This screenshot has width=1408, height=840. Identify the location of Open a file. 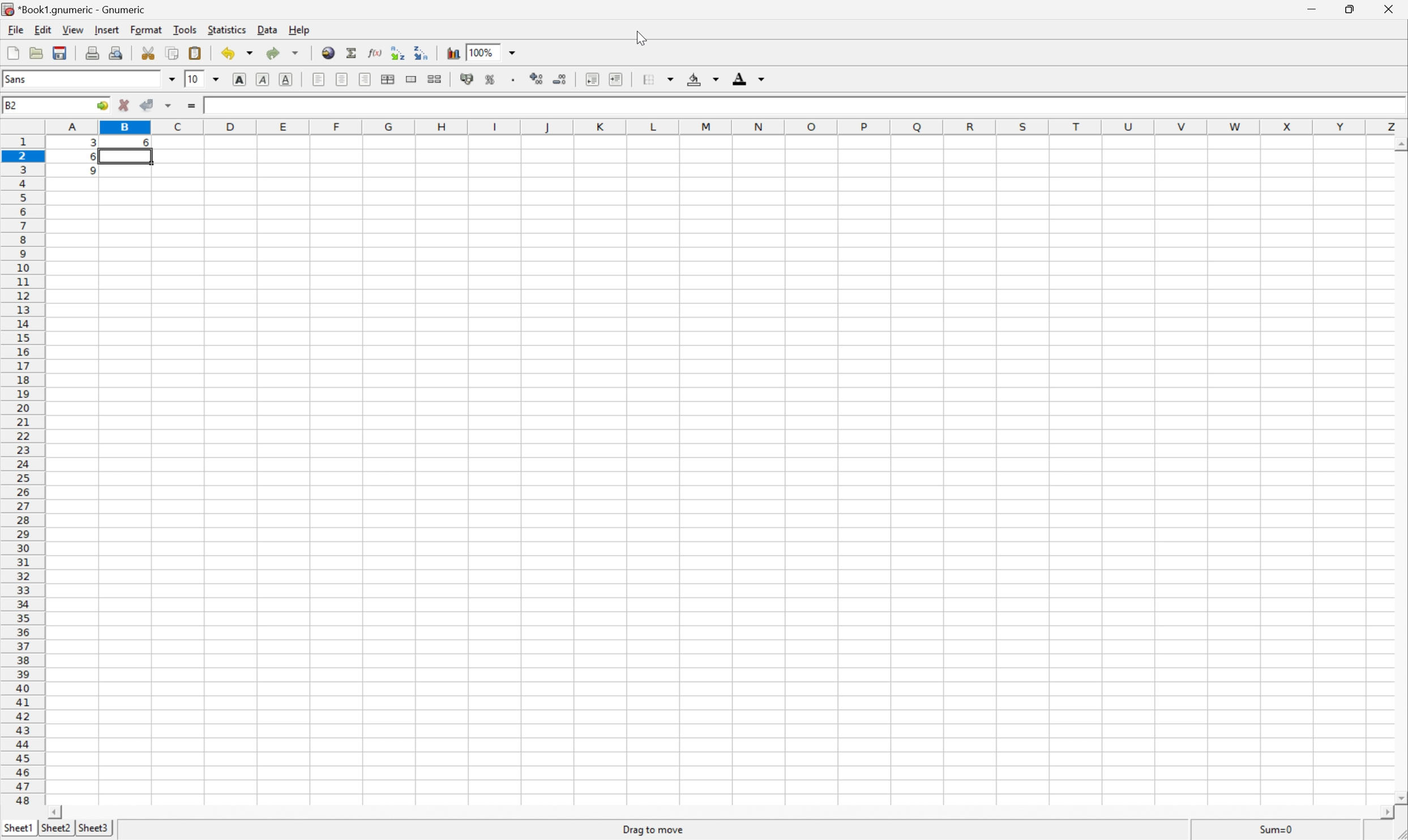
(35, 52).